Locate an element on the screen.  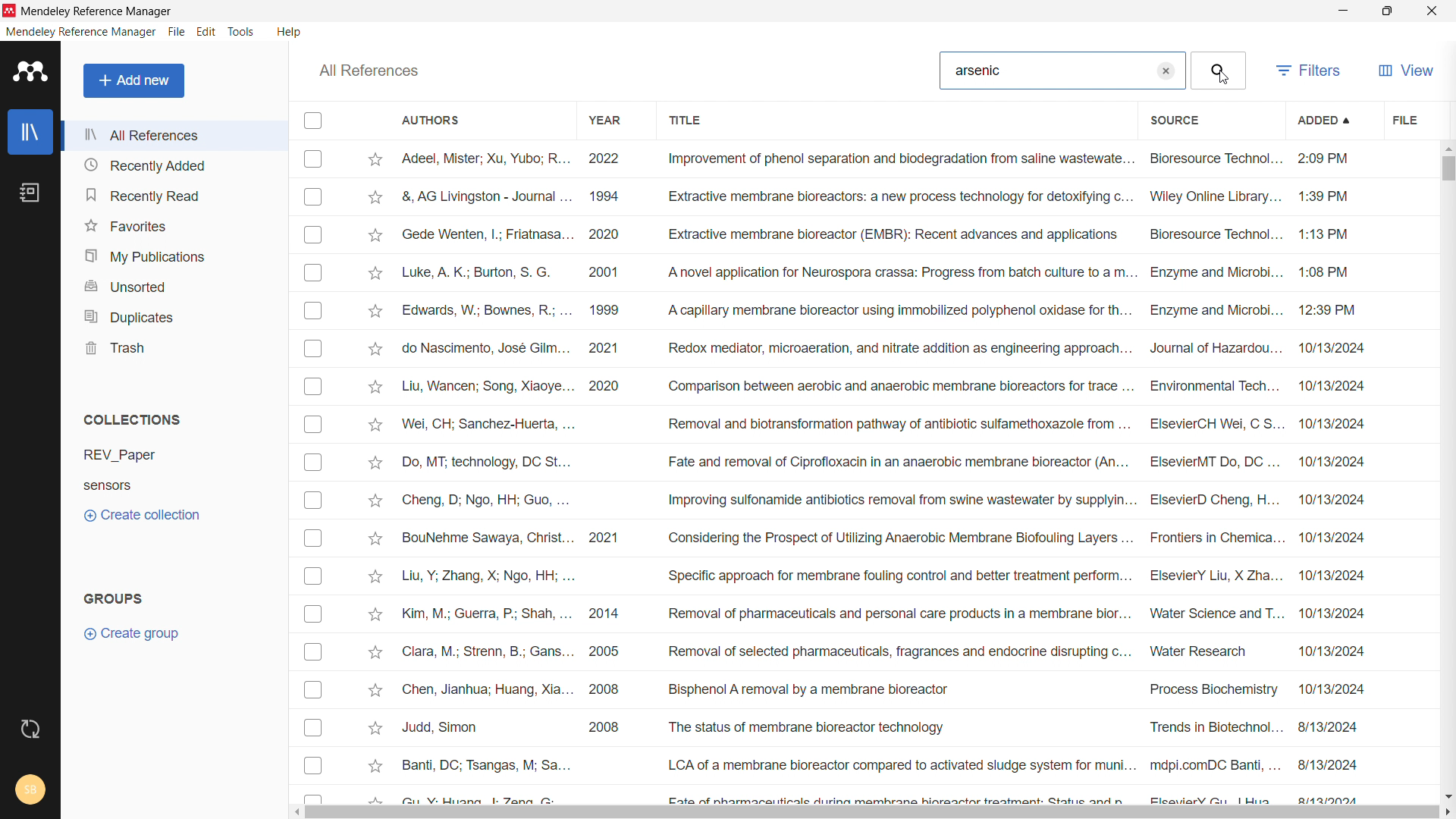
checkbox is located at coordinates (313, 120).